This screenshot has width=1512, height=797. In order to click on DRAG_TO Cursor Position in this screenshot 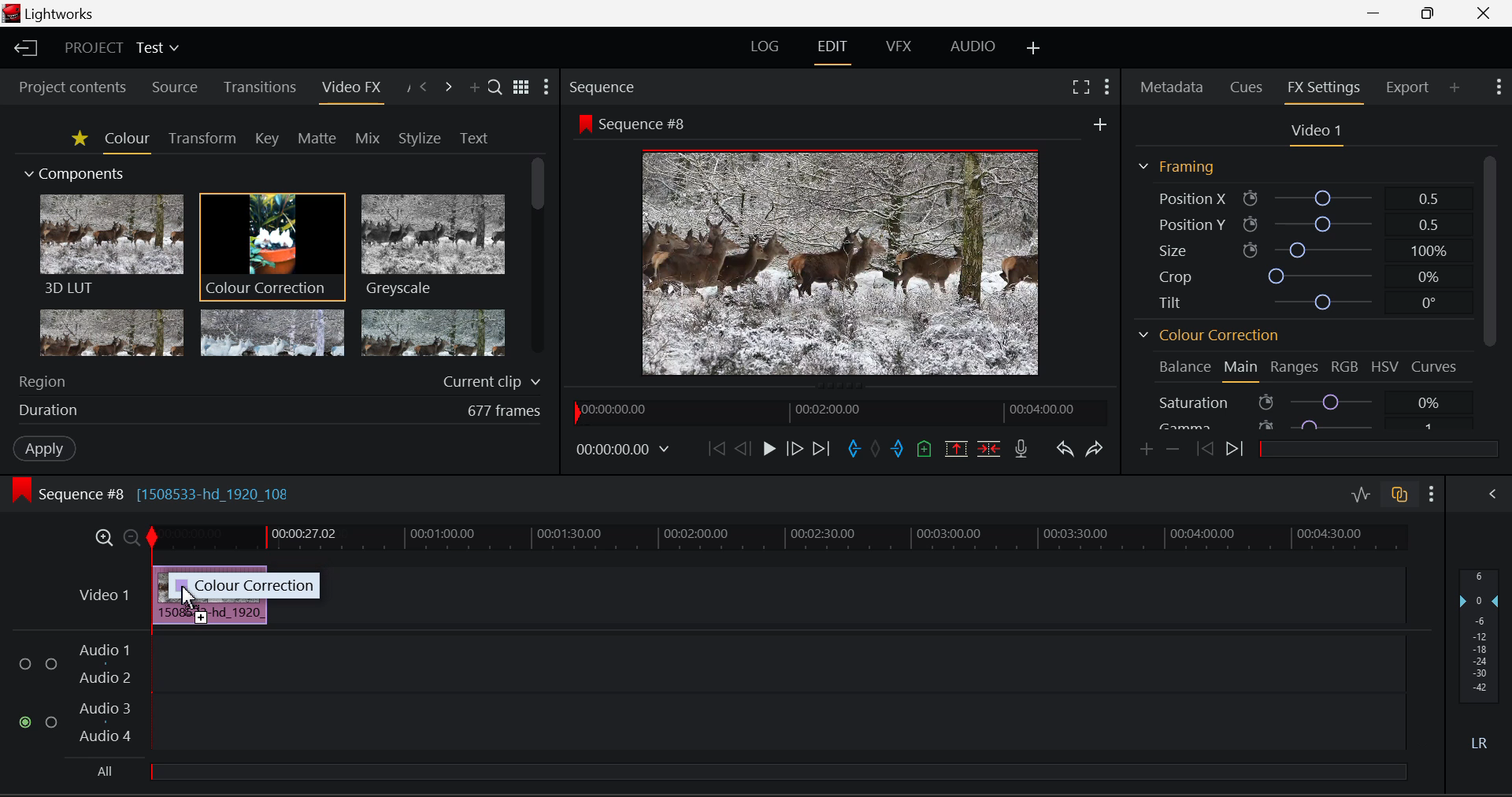, I will do `click(193, 597)`.